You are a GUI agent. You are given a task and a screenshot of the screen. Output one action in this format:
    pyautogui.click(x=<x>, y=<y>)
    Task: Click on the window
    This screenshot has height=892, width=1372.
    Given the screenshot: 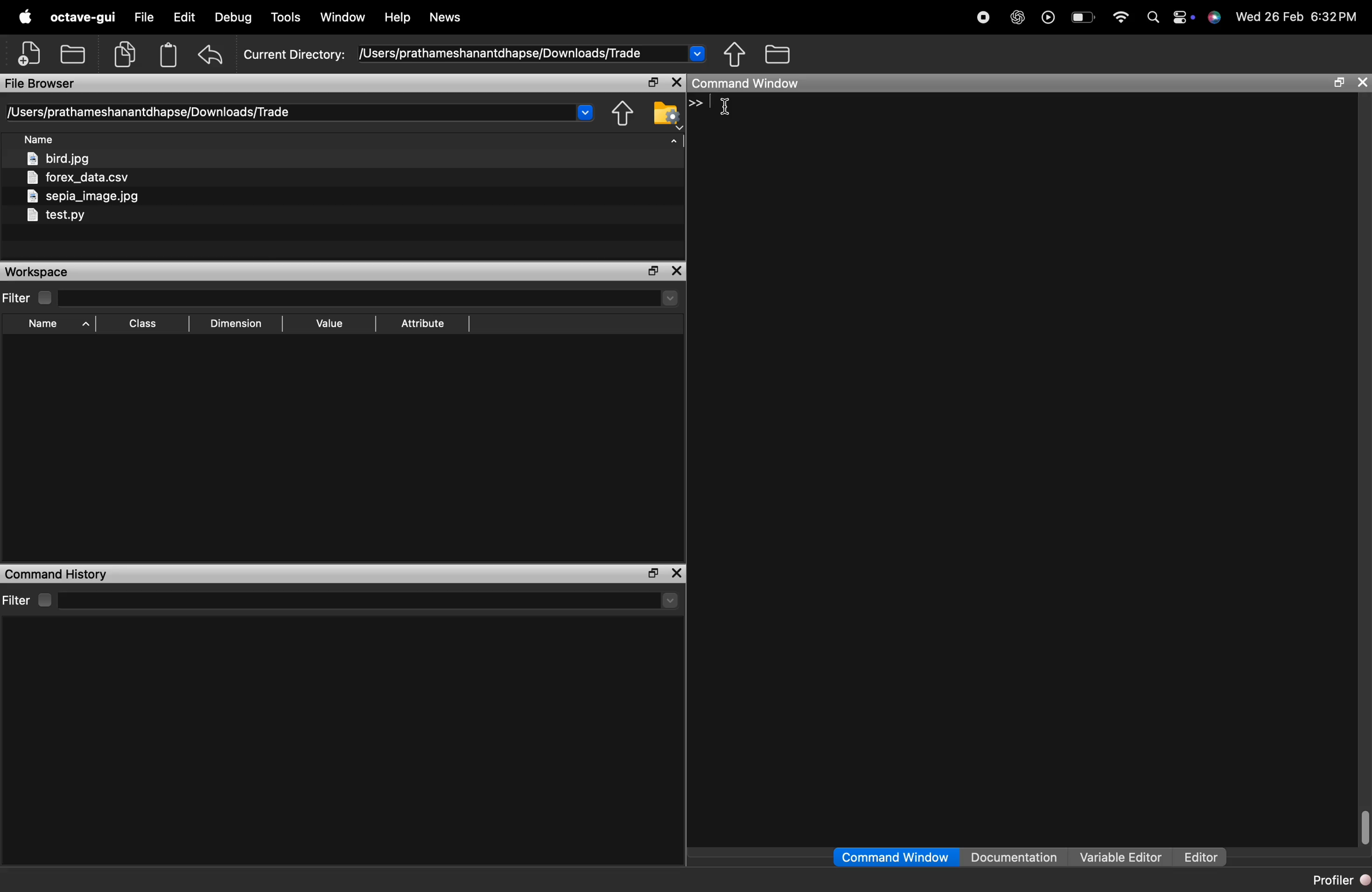 What is the action you would take?
    pyautogui.click(x=344, y=18)
    